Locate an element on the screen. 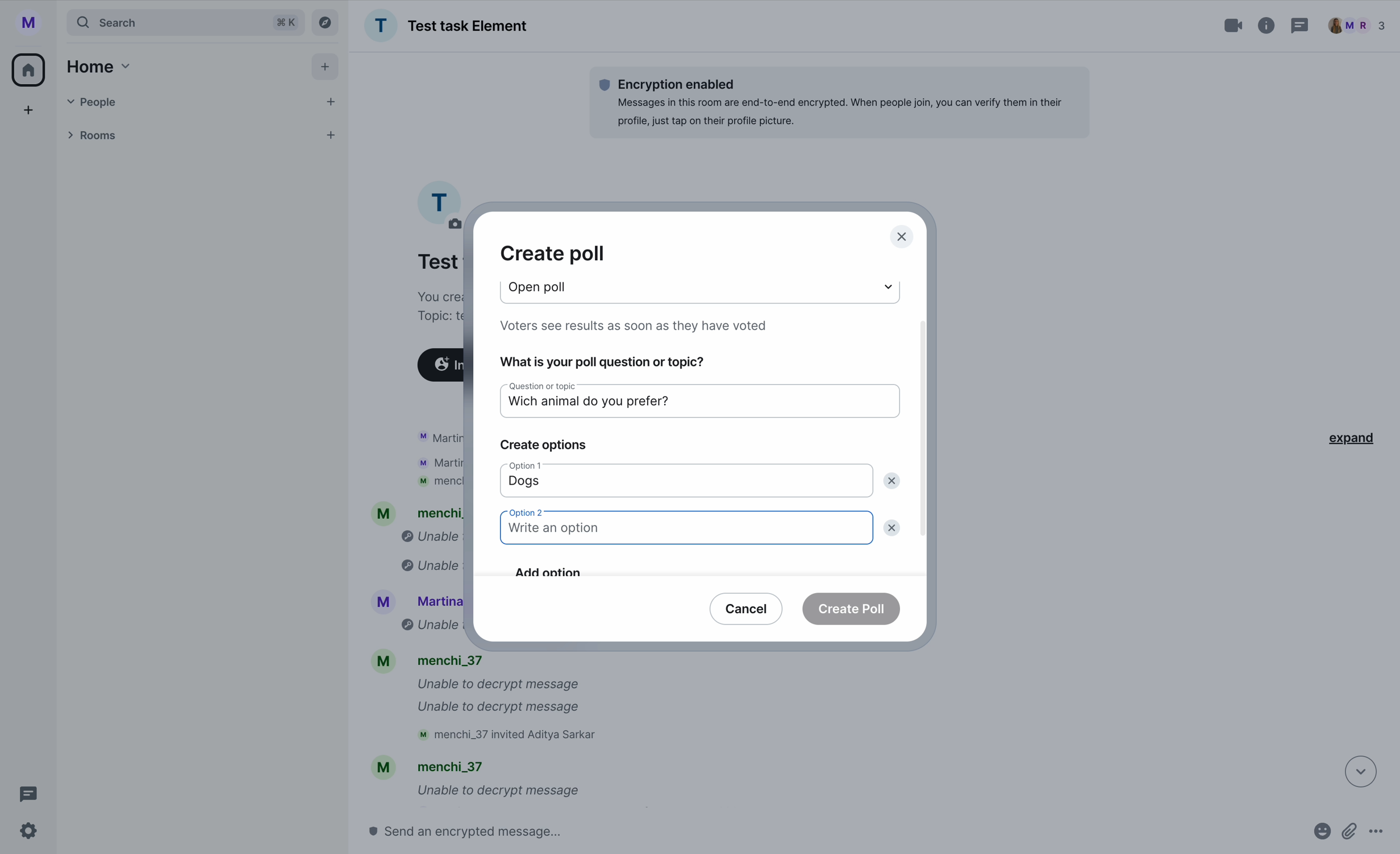 The height and width of the screenshot is (854, 1400). create poll button is located at coordinates (852, 608).